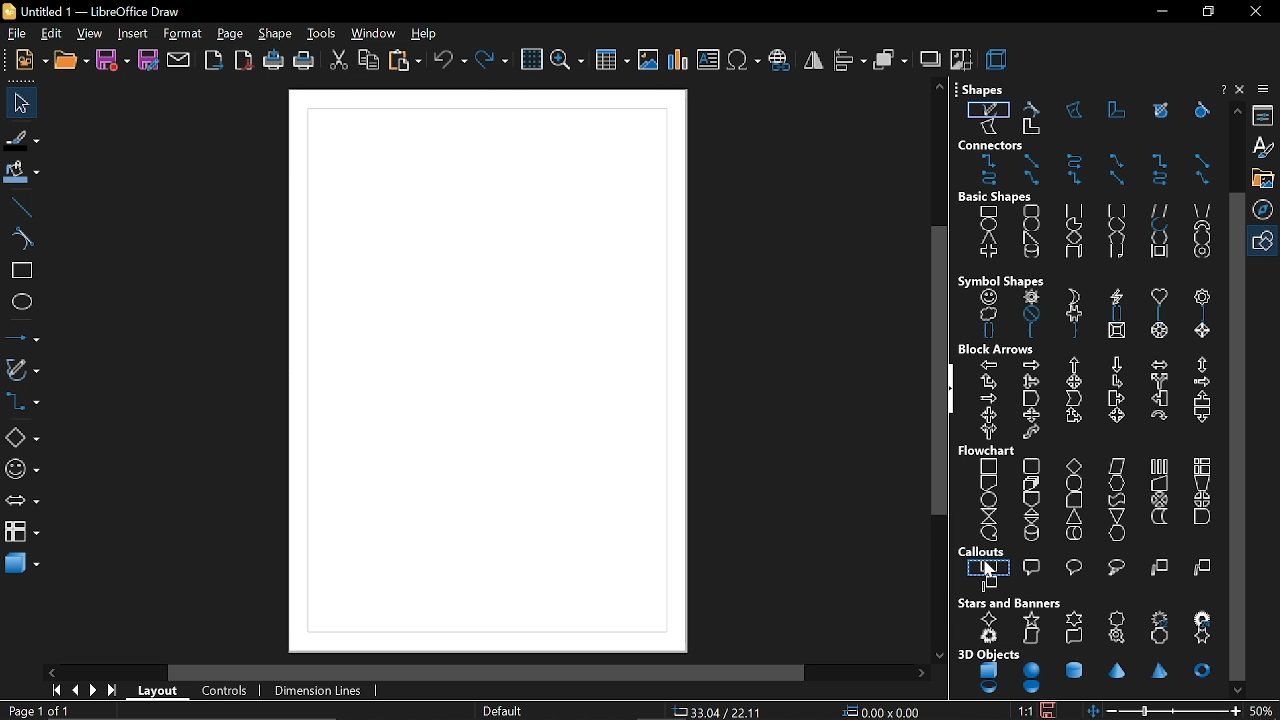 This screenshot has height=720, width=1280. What do you see at coordinates (1159, 382) in the screenshot?
I see `split arrow` at bounding box center [1159, 382].